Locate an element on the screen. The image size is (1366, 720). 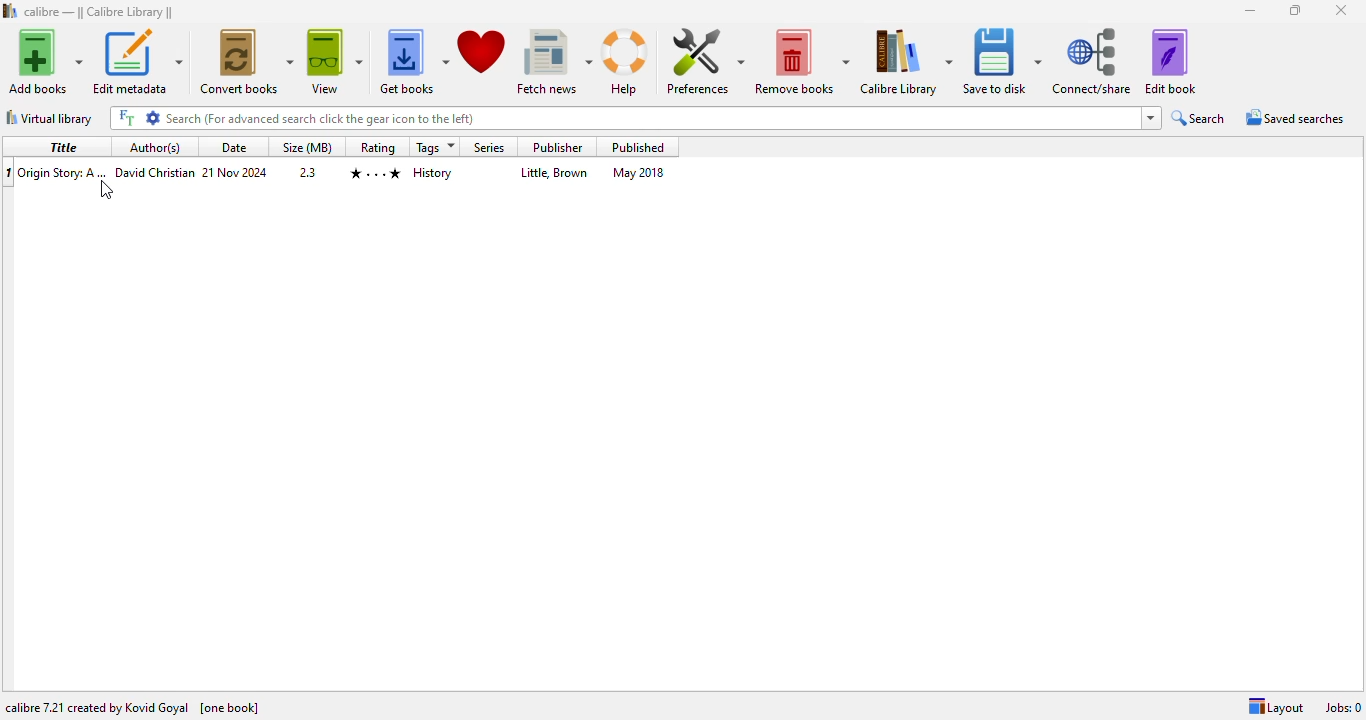
cursor is located at coordinates (104, 189).